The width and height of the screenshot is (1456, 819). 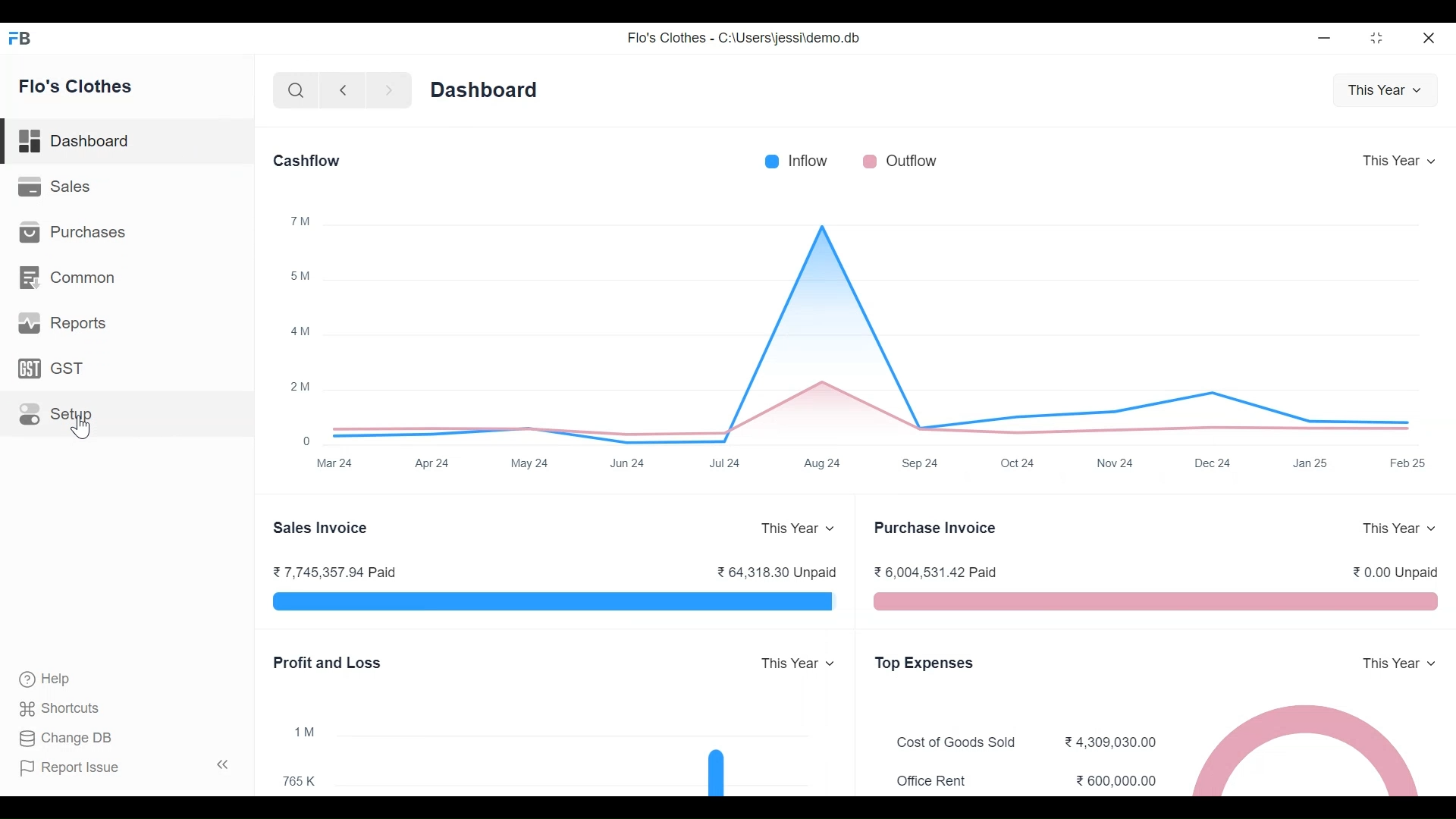 I want to click on shortcuts, so click(x=59, y=709).